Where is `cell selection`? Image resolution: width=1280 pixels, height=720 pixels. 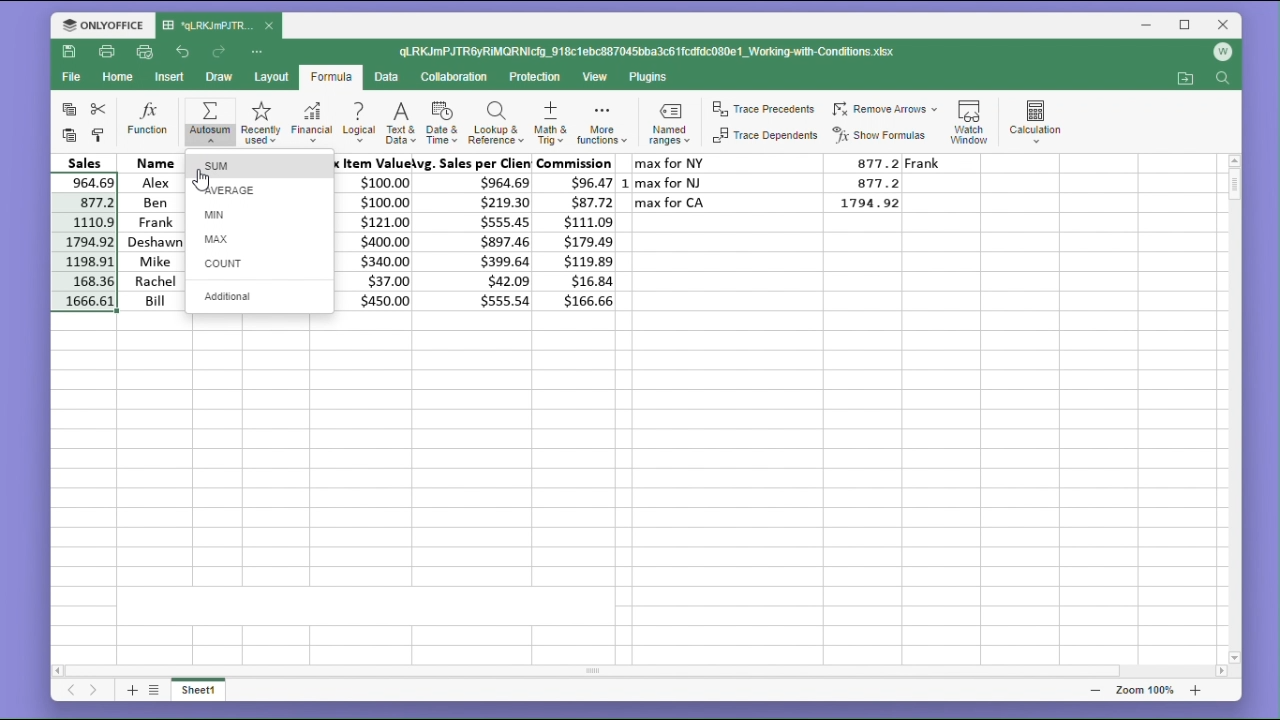
cell selection is located at coordinates (84, 243).